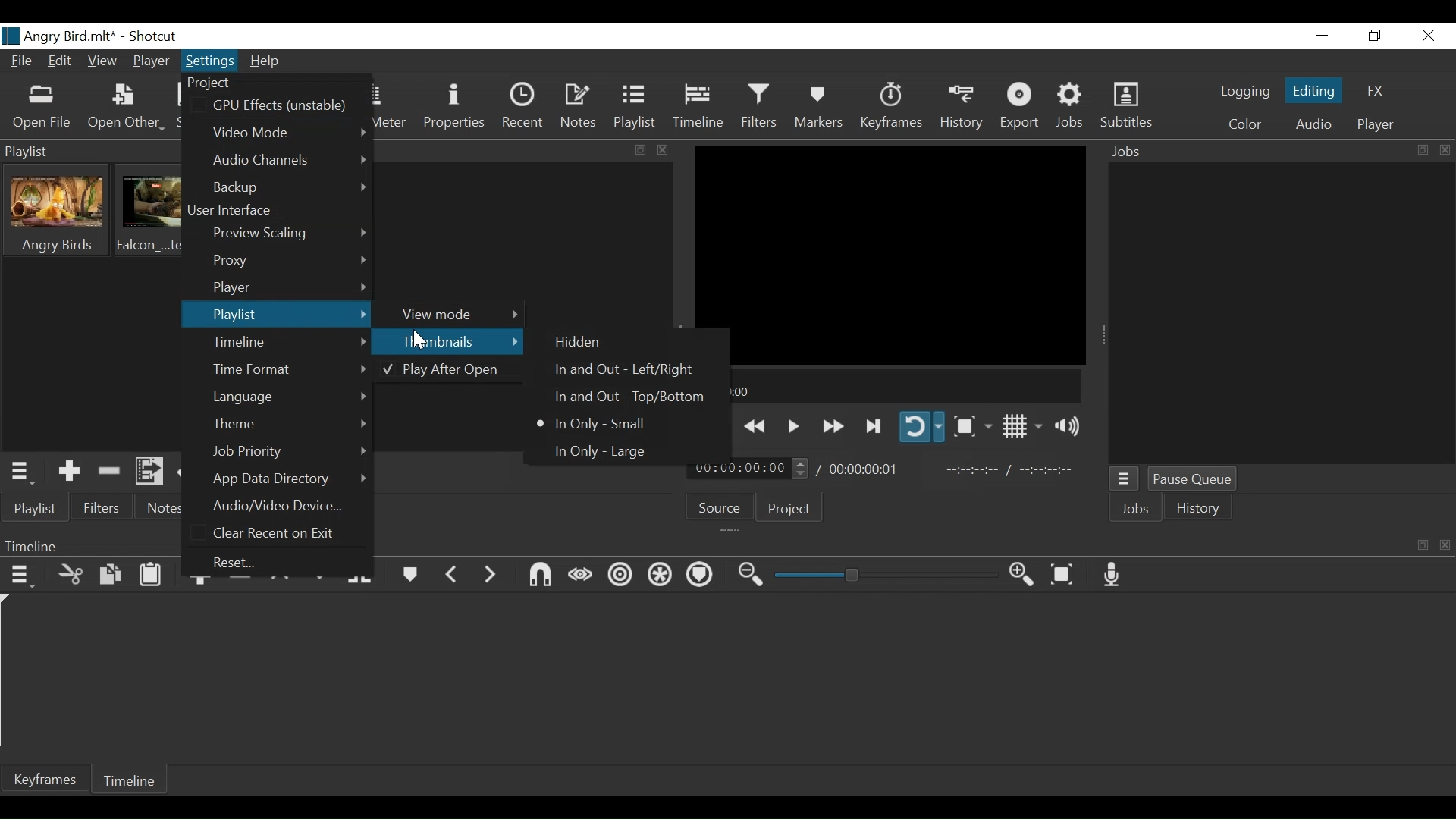  I want to click on Video Mode, so click(288, 130).